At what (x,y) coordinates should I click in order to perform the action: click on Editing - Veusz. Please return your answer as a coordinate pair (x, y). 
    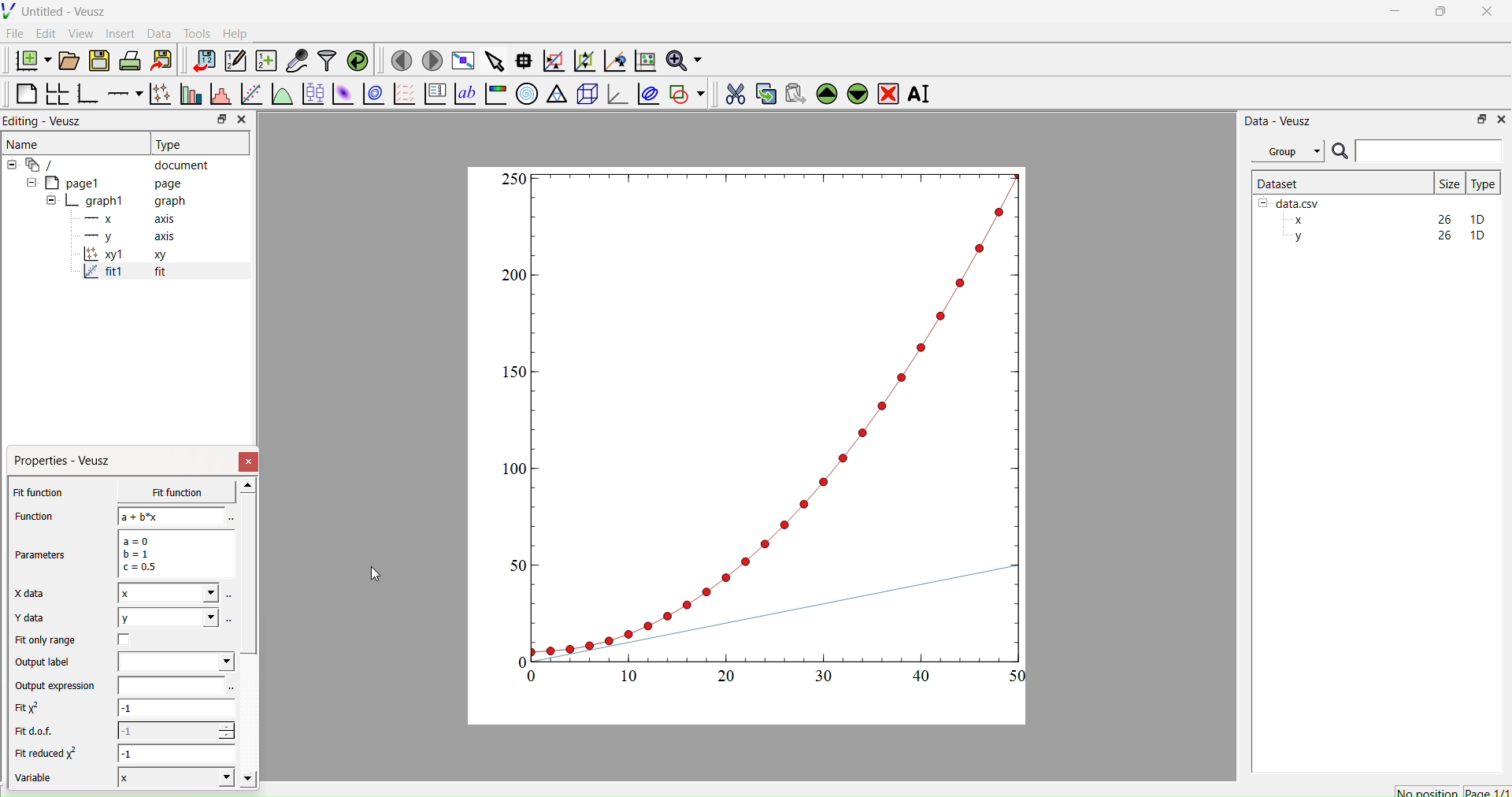
    Looking at the image, I should click on (47, 120).